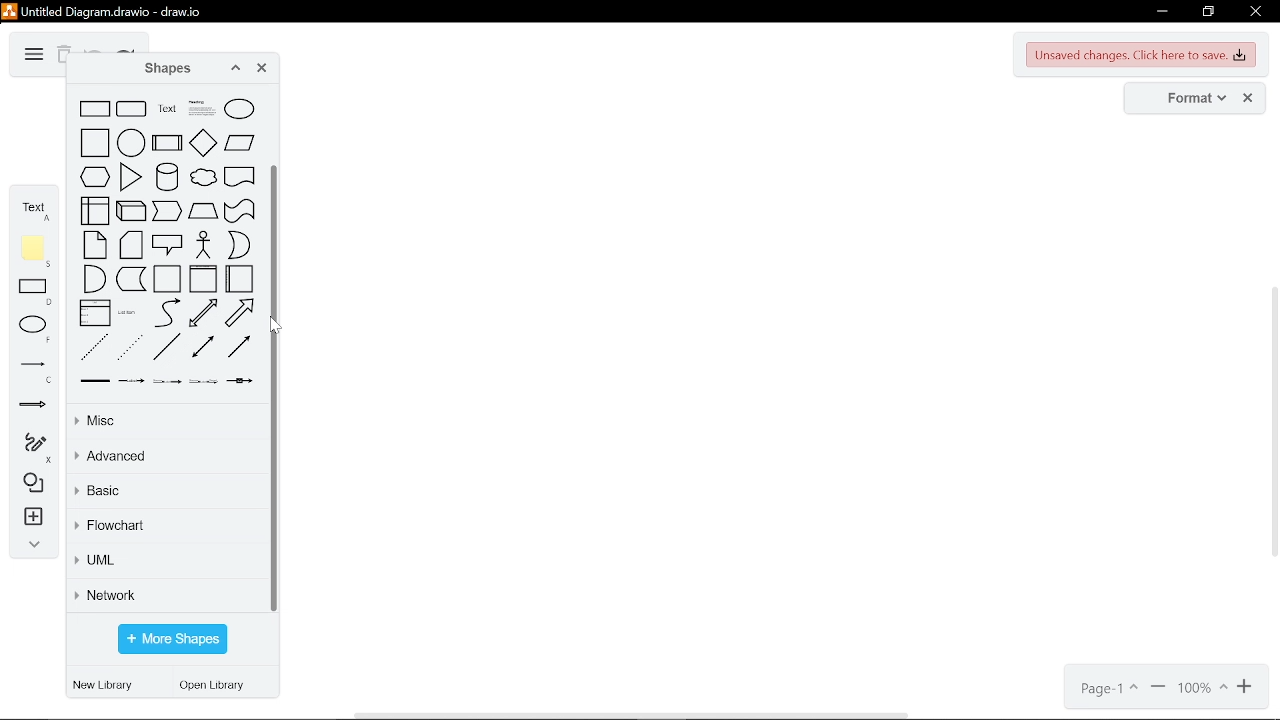 This screenshot has height=720, width=1280. What do you see at coordinates (167, 381) in the screenshot?
I see `connector with 2 labels` at bounding box center [167, 381].